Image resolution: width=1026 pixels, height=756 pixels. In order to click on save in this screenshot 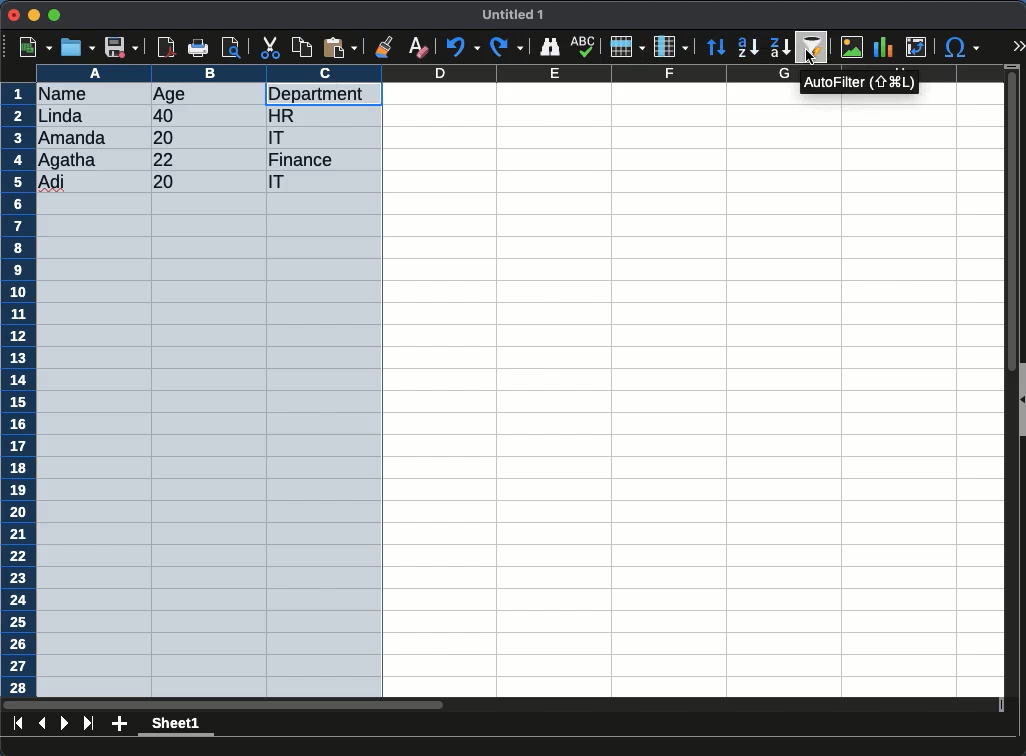, I will do `click(122, 47)`.